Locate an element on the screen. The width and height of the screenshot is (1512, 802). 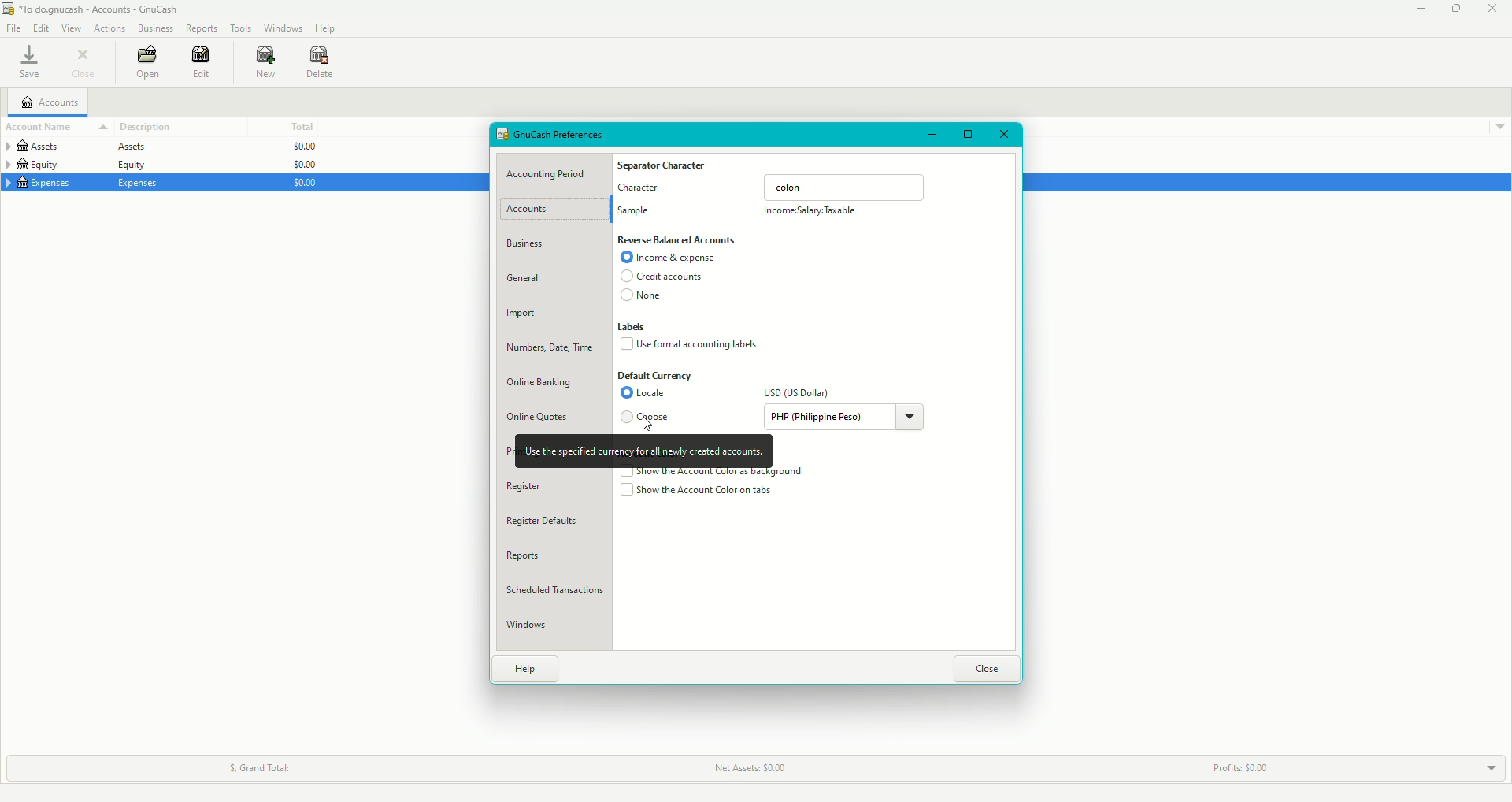
Total is located at coordinates (300, 126).